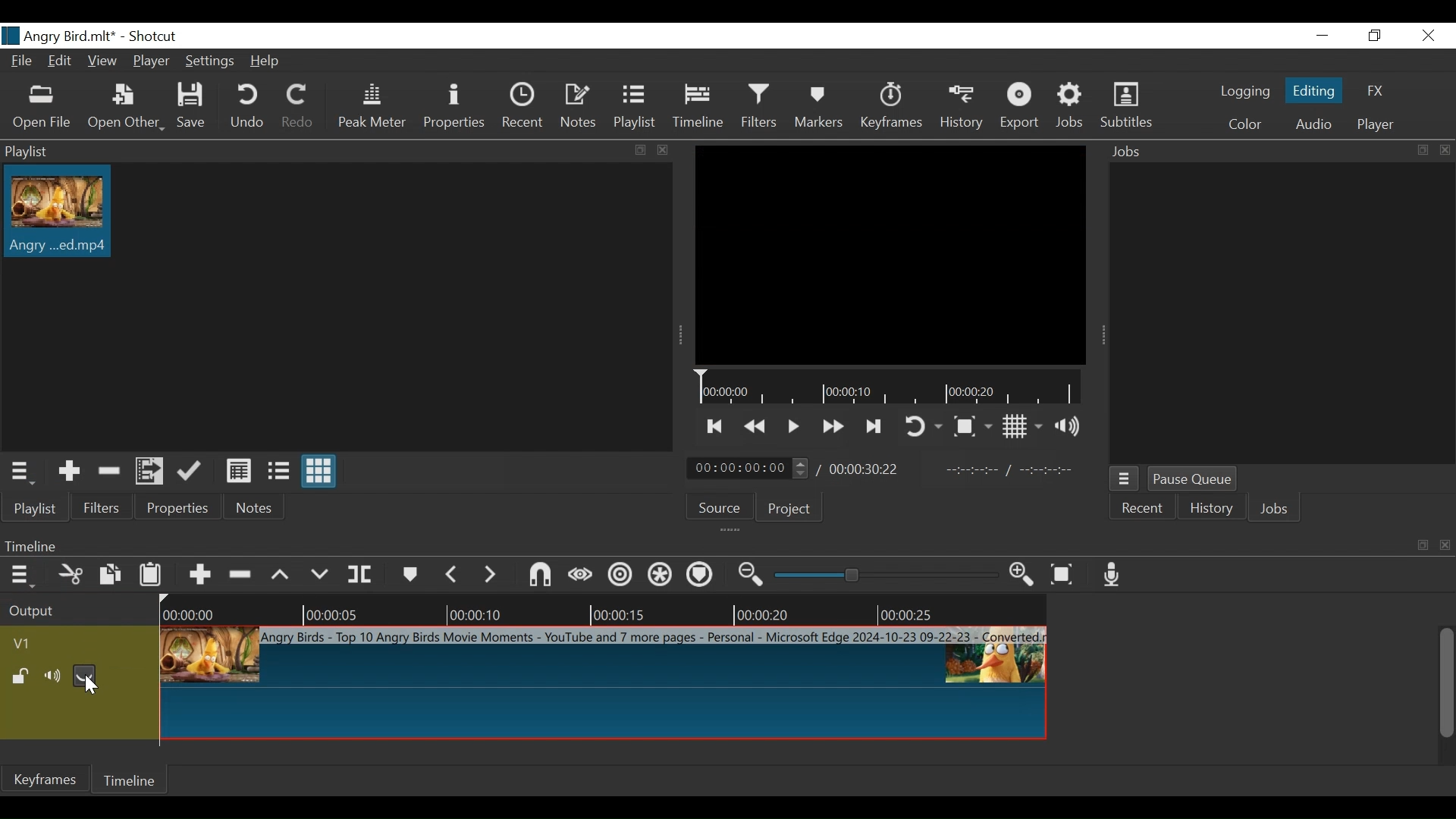 The height and width of the screenshot is (819, 1456). I want to click on Add the Source to the playlist, so click(67, 472).